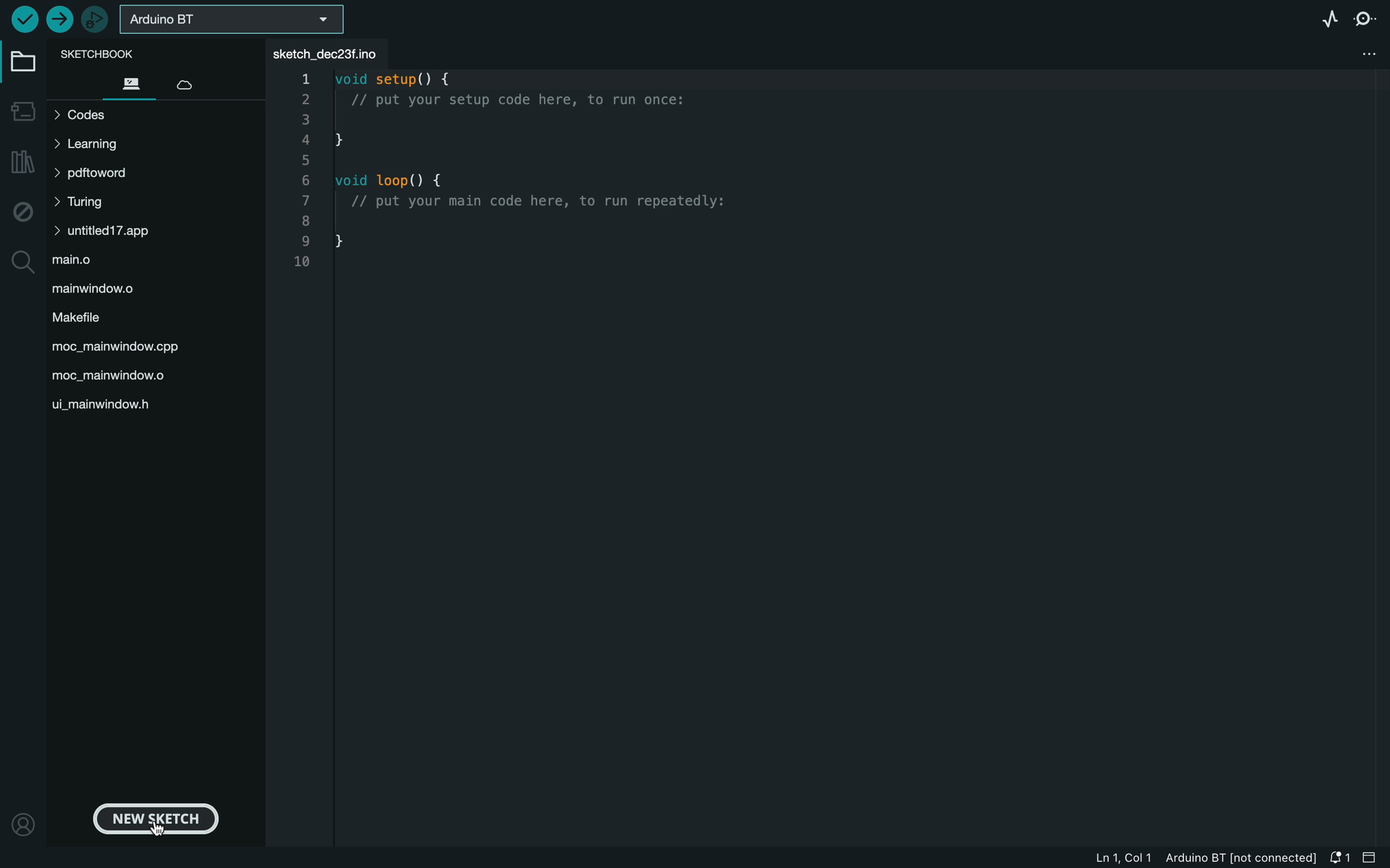 This screenshot has width=1390, height=868. What do you see at coordinates (113, 290) in the screenshot?
I see `main window` at bounding box center [113, 290].